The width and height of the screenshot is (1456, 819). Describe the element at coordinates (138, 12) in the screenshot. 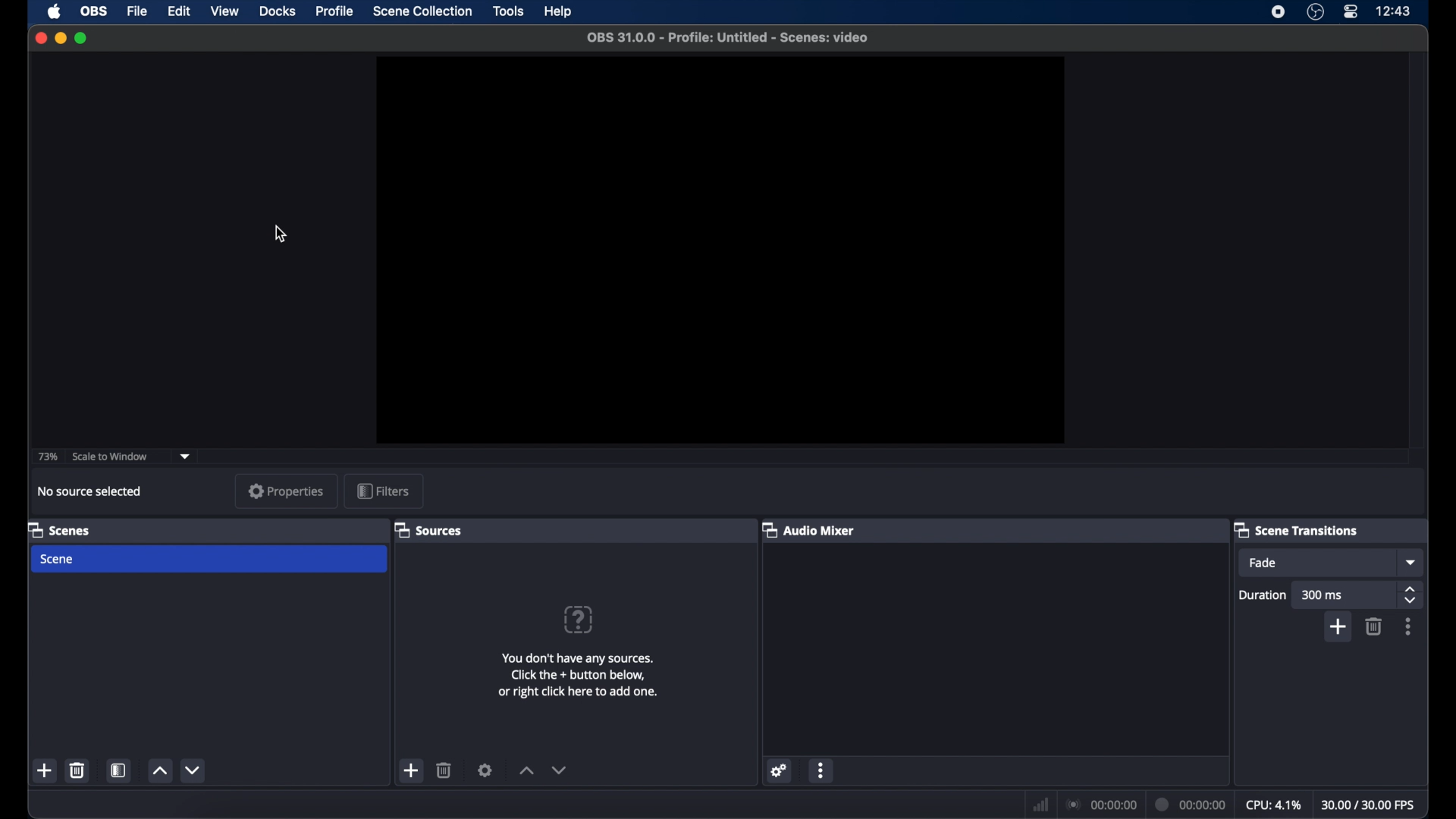

I see `file` at that location.